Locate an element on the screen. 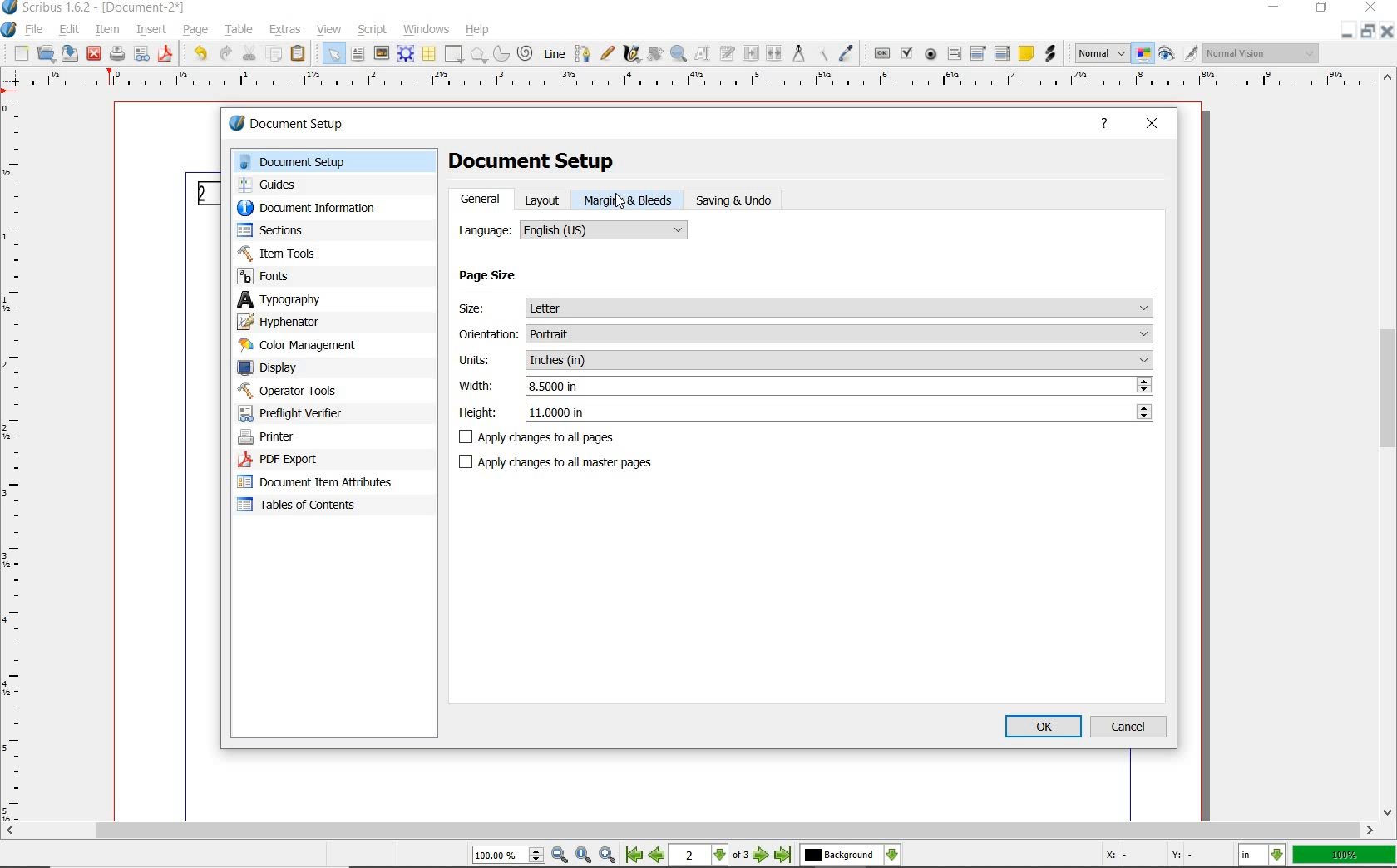 This screenshot has height=868, width=1397. Curspr Coordinates is located at coordinates (1150, 856).